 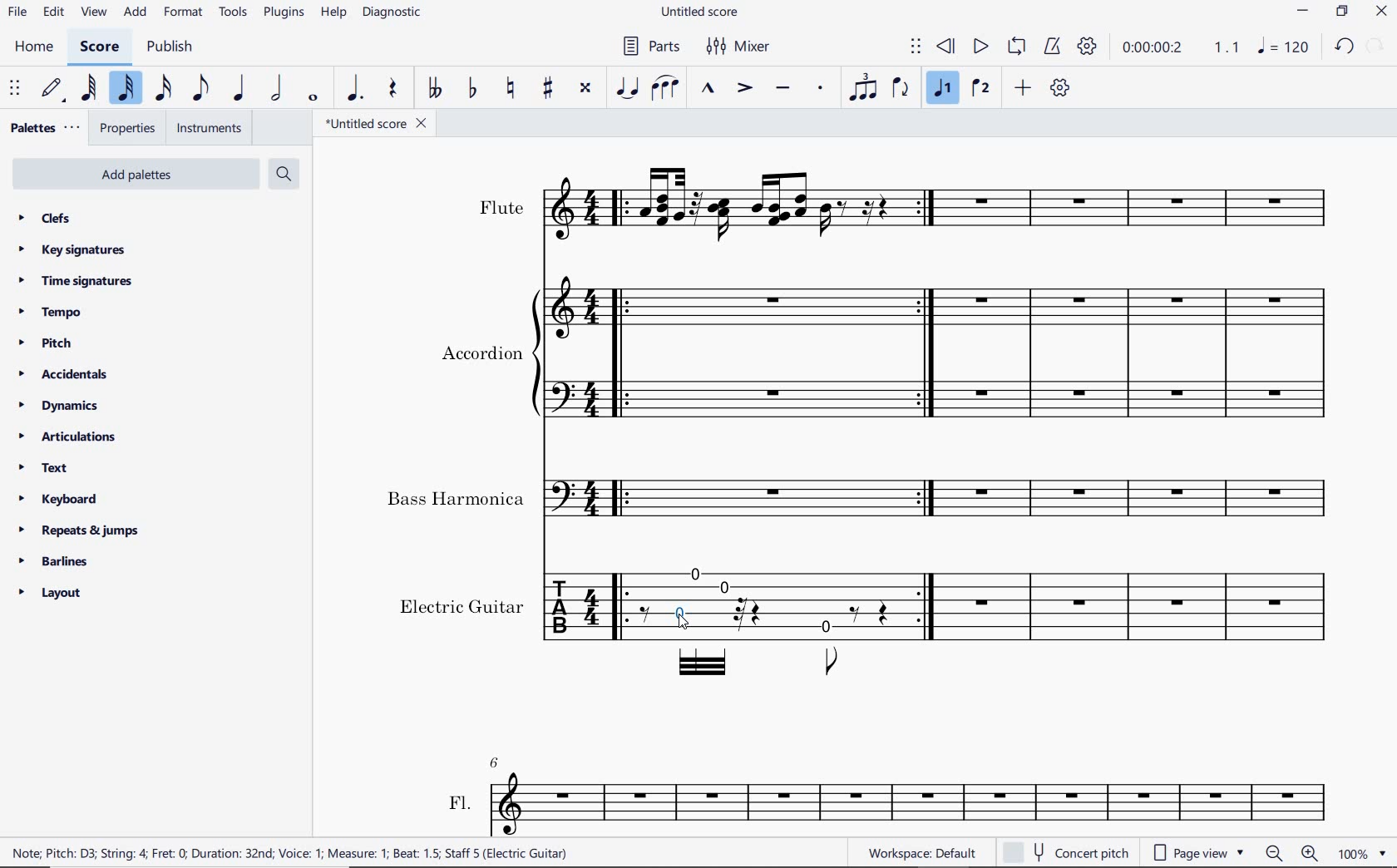 What do you see at coordinates (64, 437) in the screenshot?
I see `articulations` at bounding box center [64, 437].